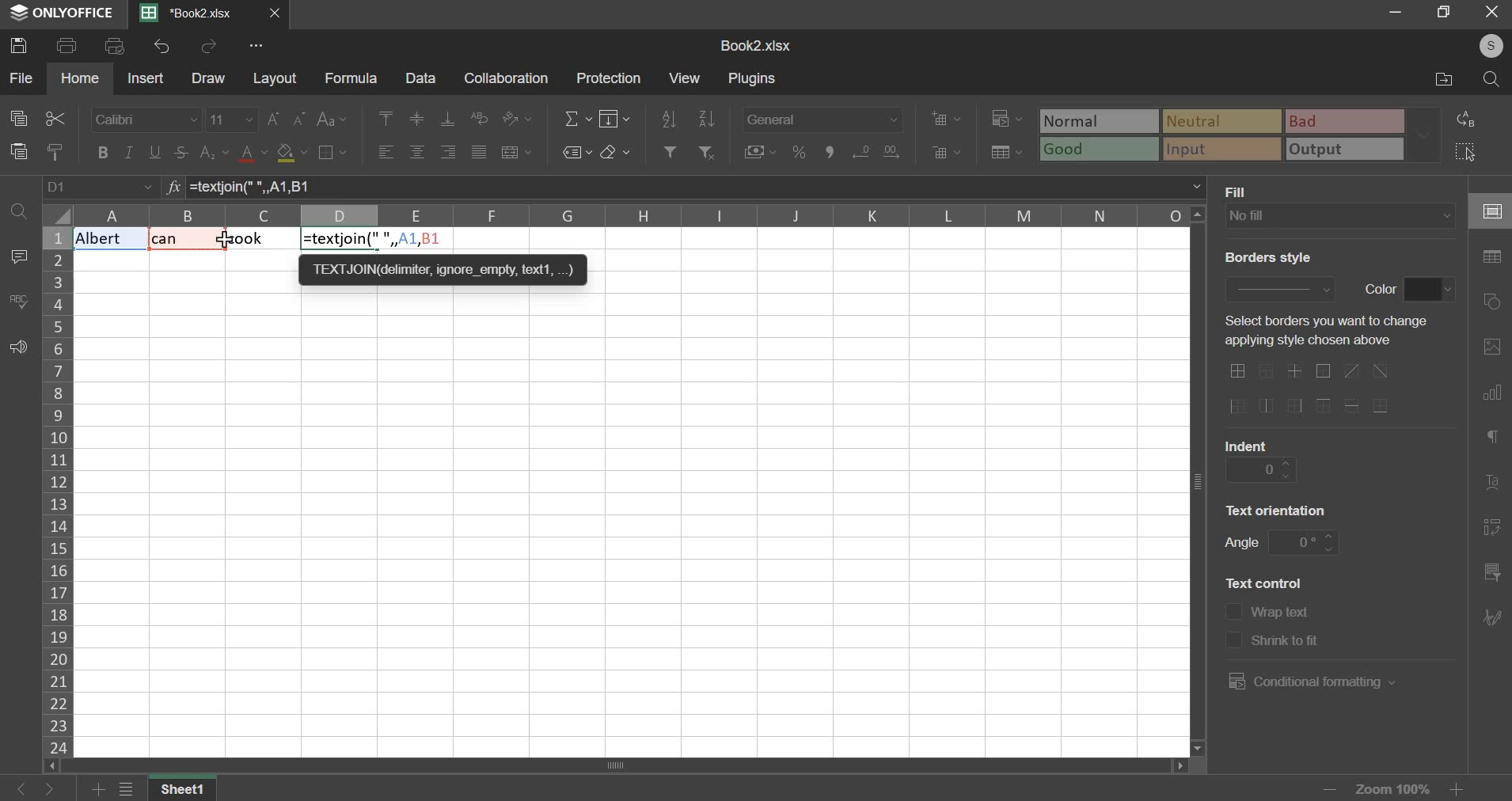 This screenshot has height=801, width=1512. I want to click on text, so click(1287, 643).